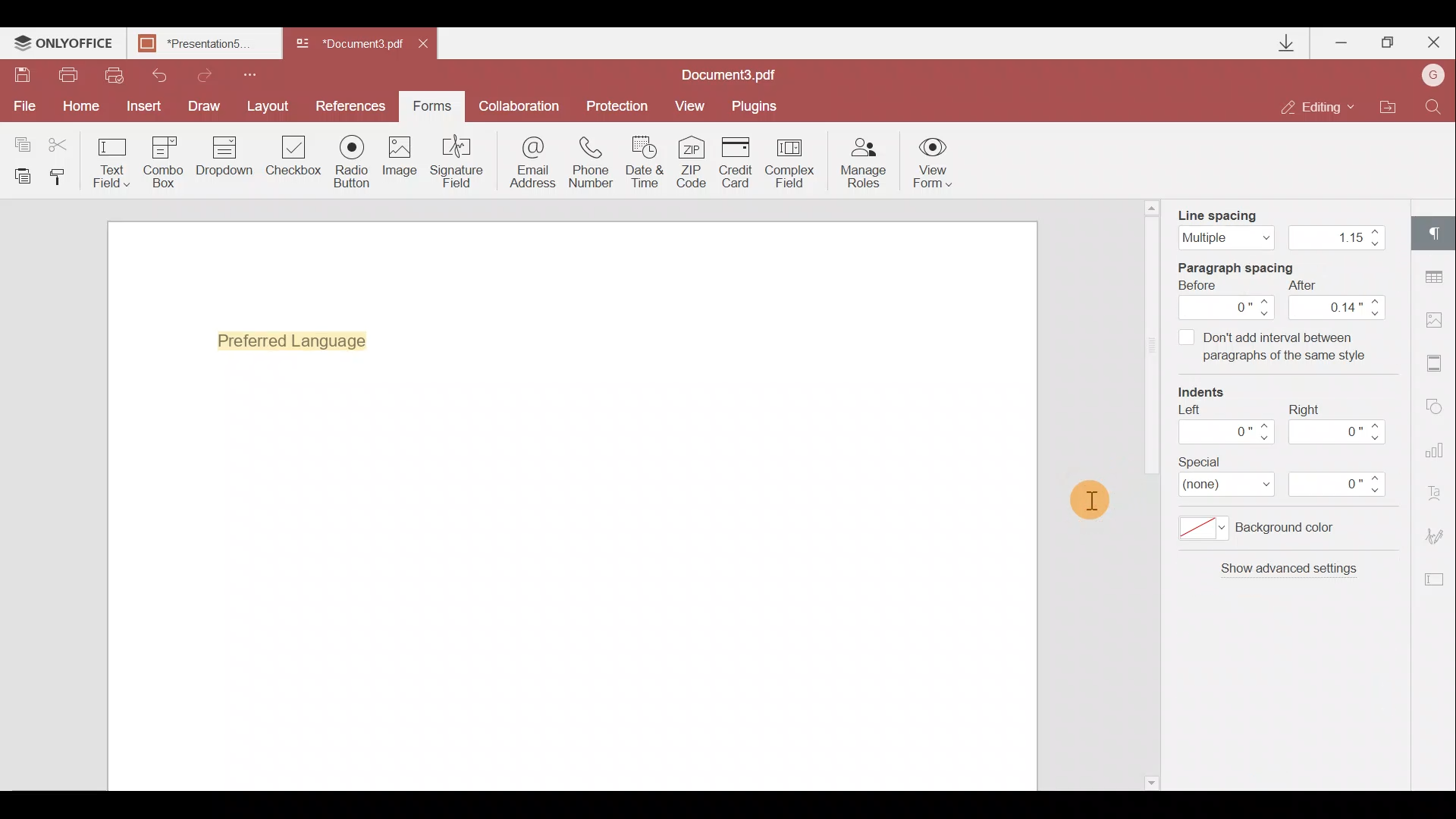 The width and height of the screenshot is (1456, 819). What do you see at coordinates (1230, 307) in the screenshot?
I see `0` at bounding box center [1230, 307].